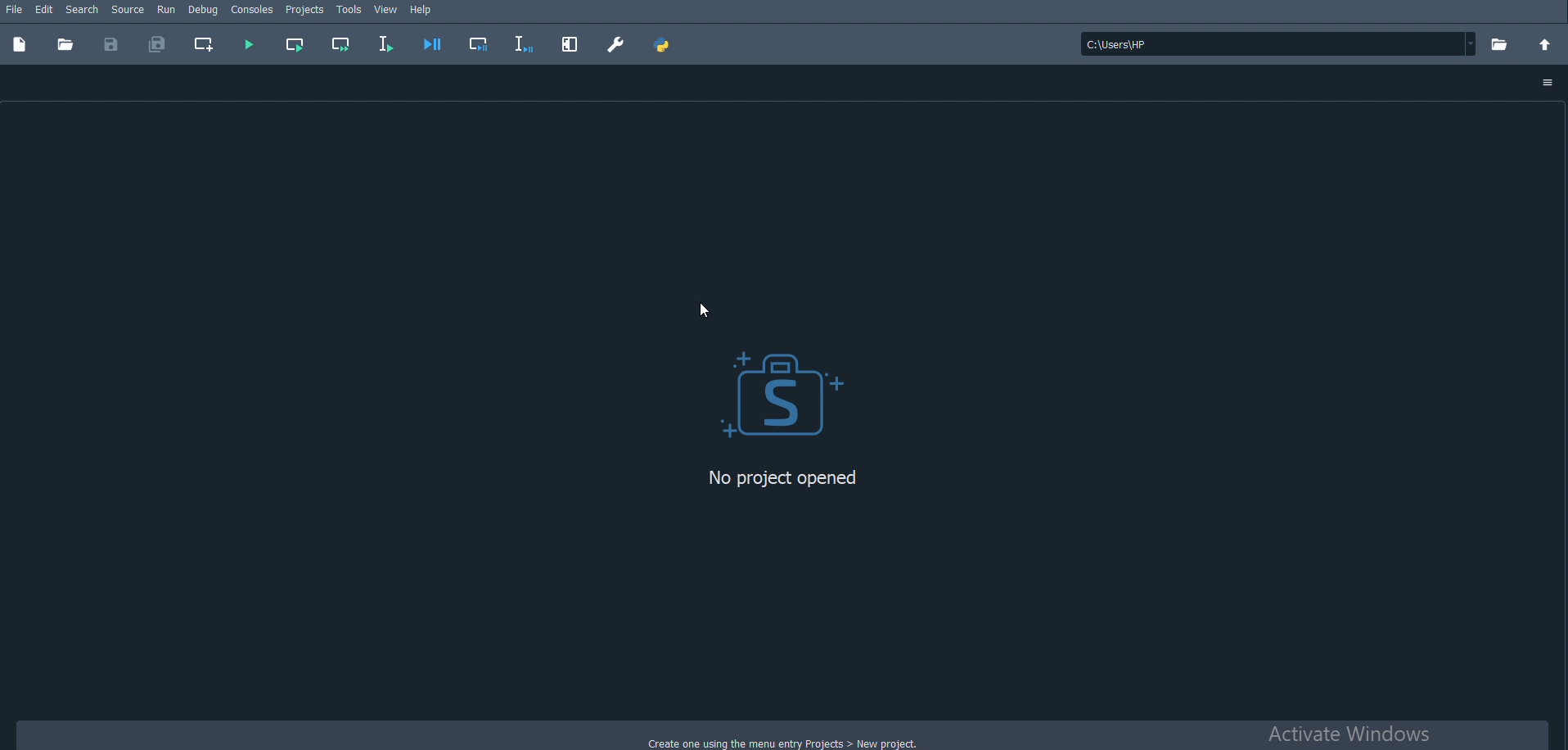  I want to click on Tools, so click(349, 8).